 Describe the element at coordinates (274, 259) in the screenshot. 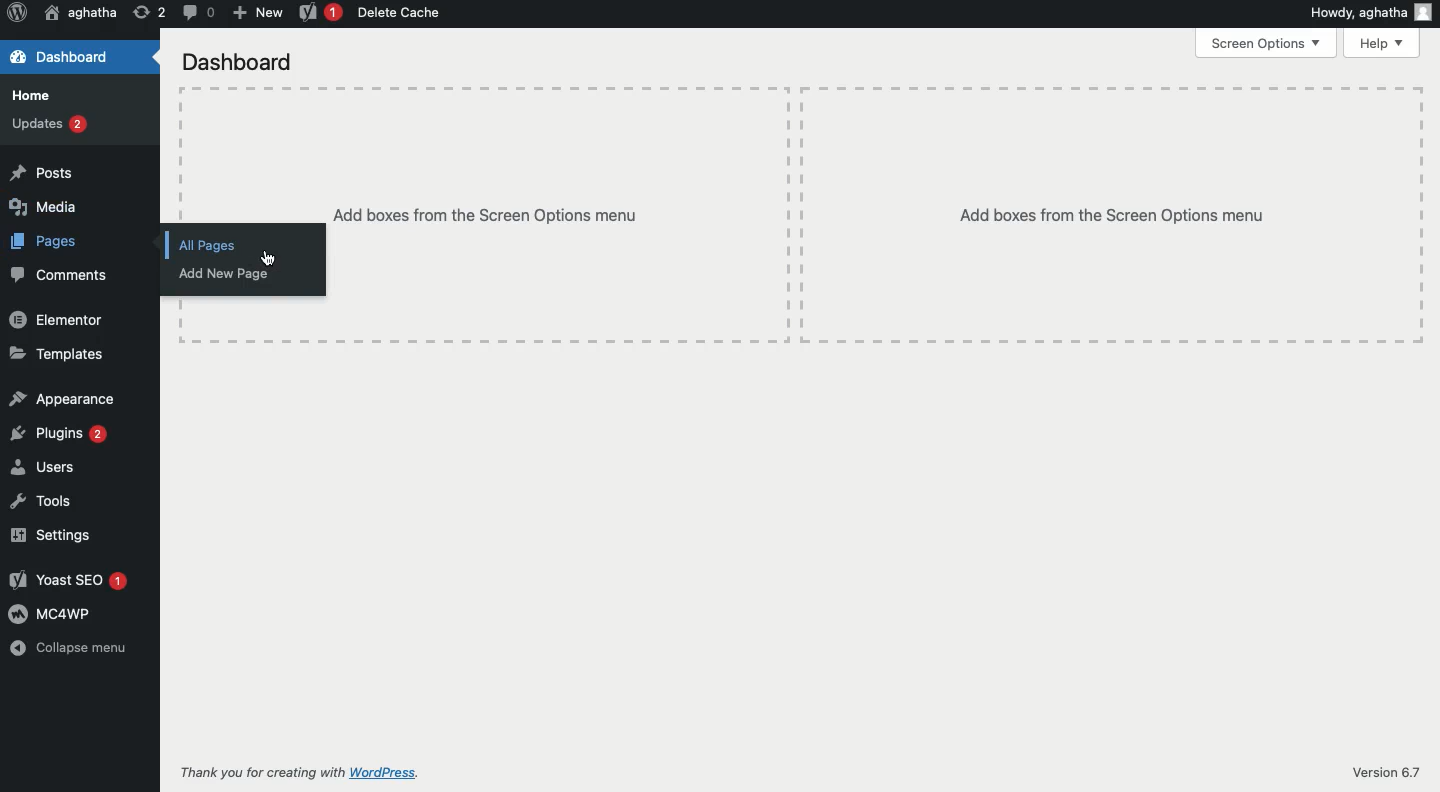

I see `cursor` at that location.